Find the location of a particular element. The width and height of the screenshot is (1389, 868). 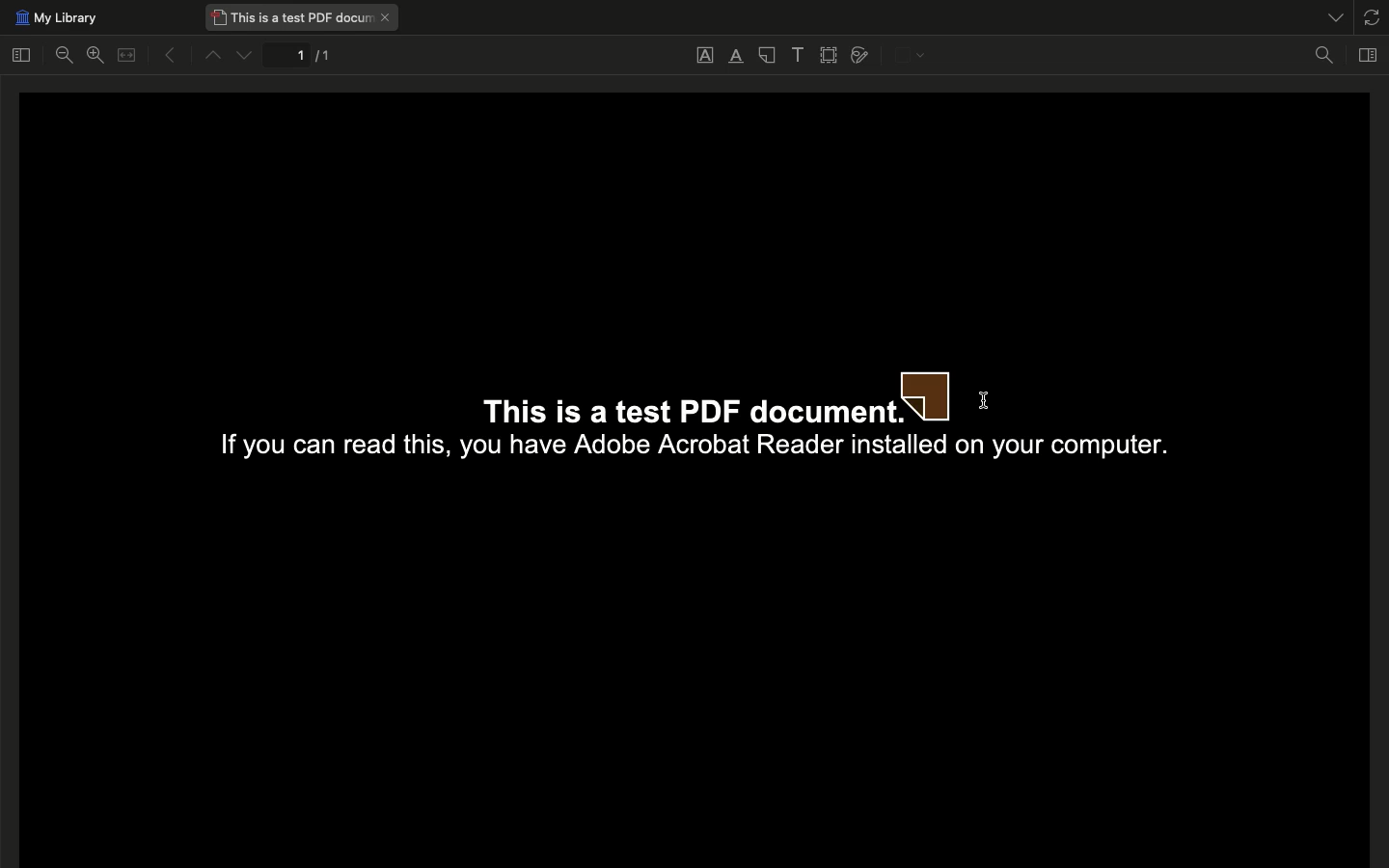

Note annotation is located at coordinates (766, 58).